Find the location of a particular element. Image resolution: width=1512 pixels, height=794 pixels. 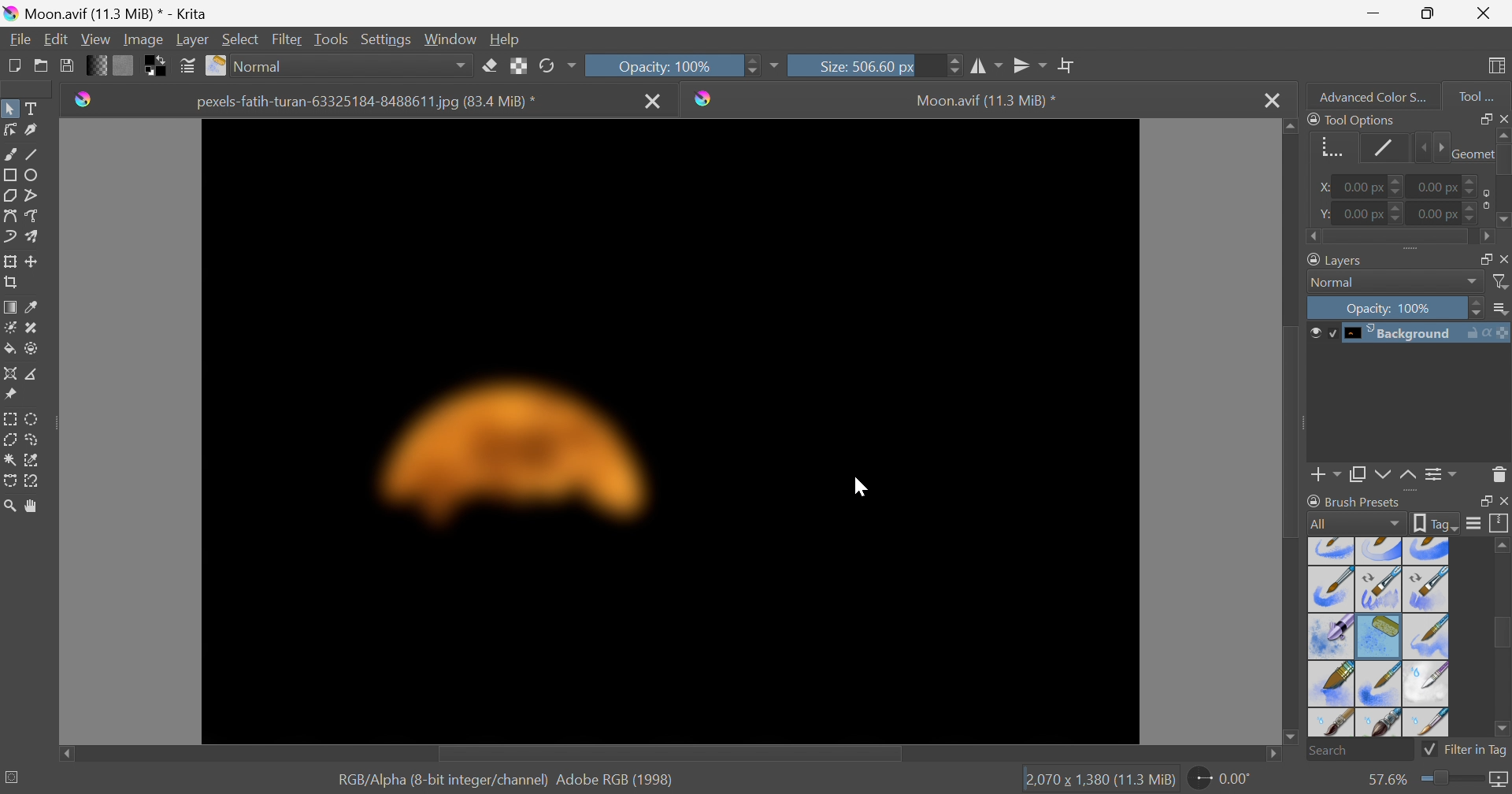

Restore down is located at coordinates (1480, 258).